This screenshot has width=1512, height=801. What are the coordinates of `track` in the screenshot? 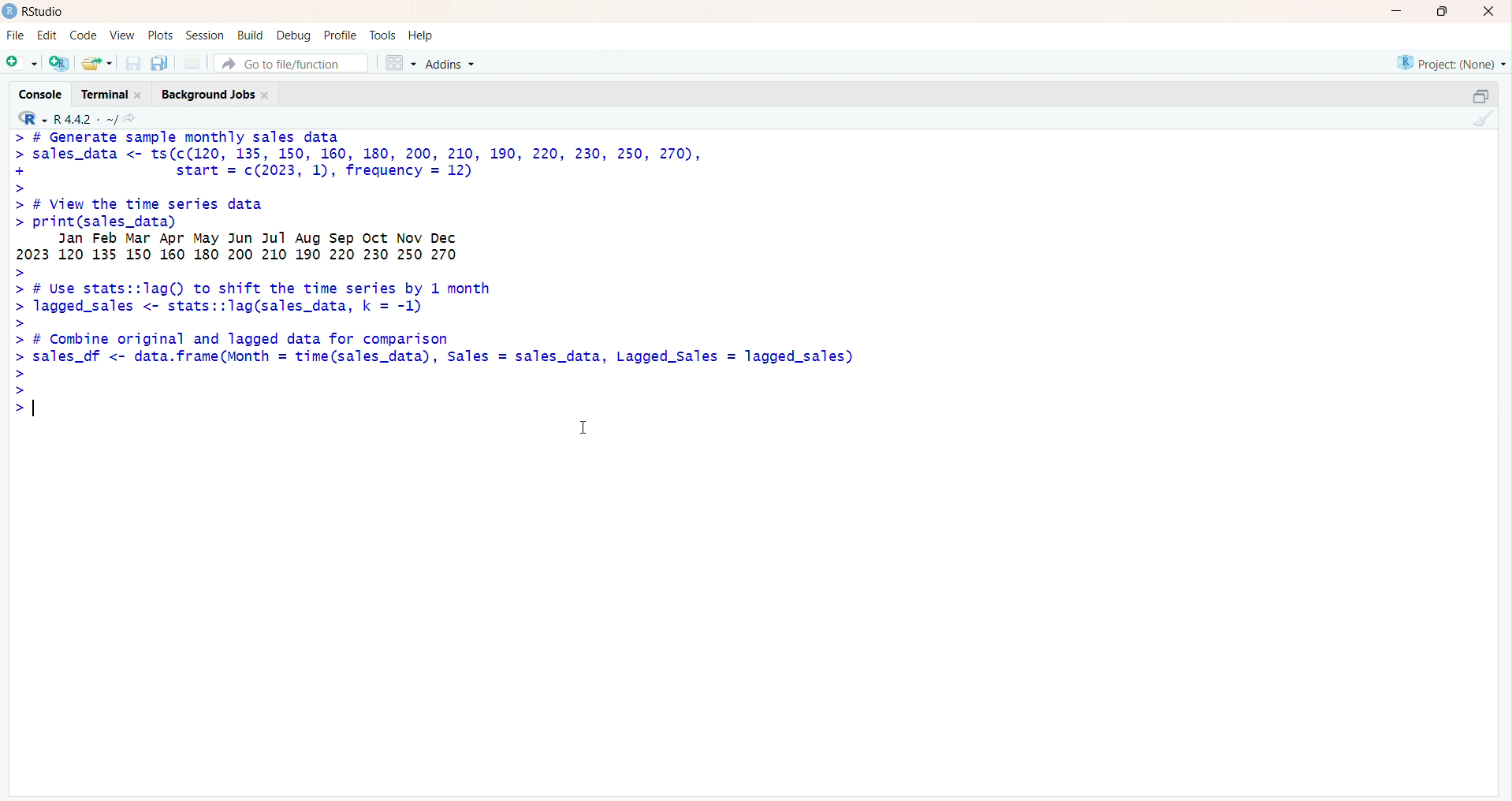 It's located at (384, 34).